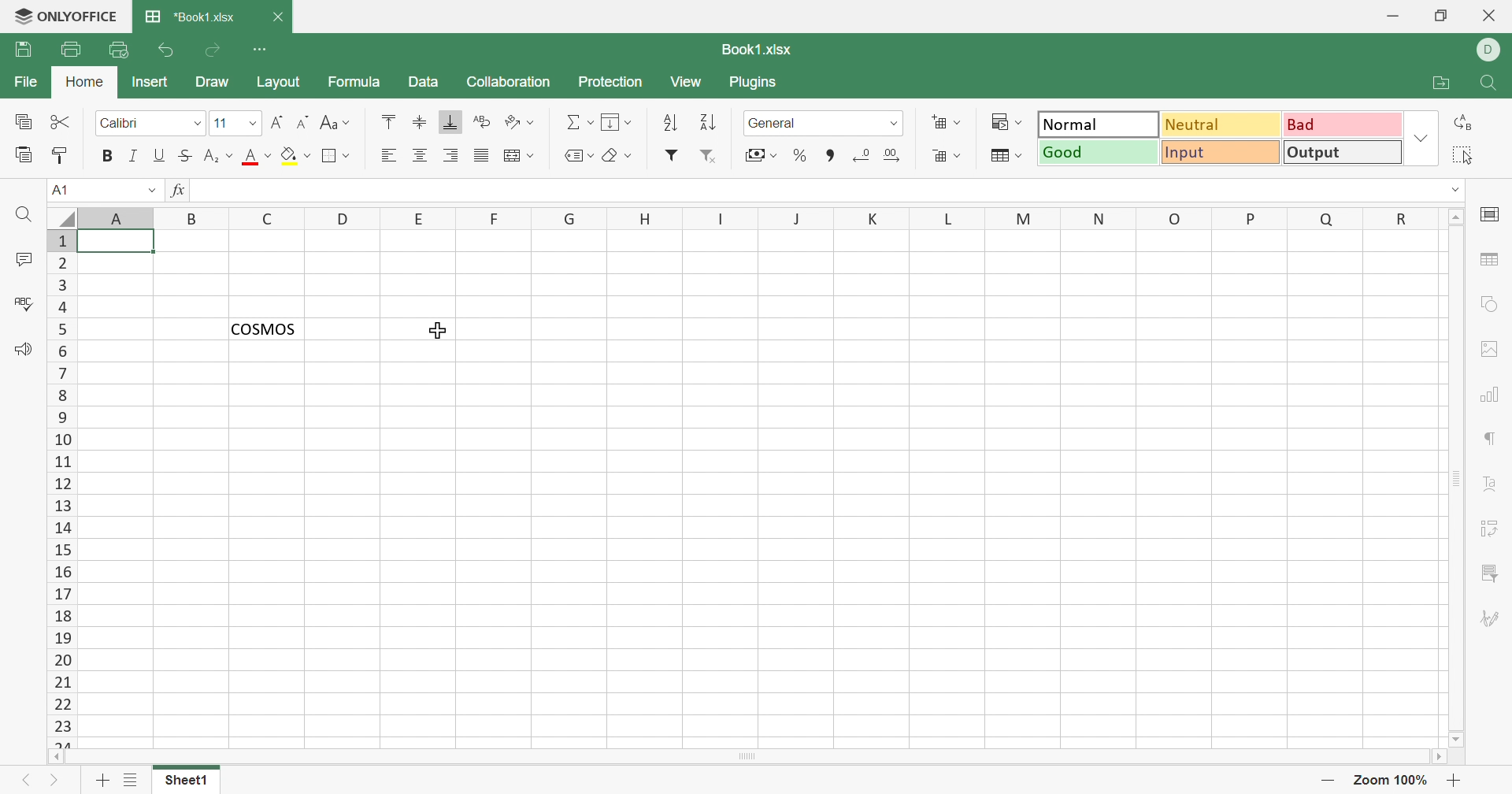  I want to click on Drop down, so click(1421, 139).